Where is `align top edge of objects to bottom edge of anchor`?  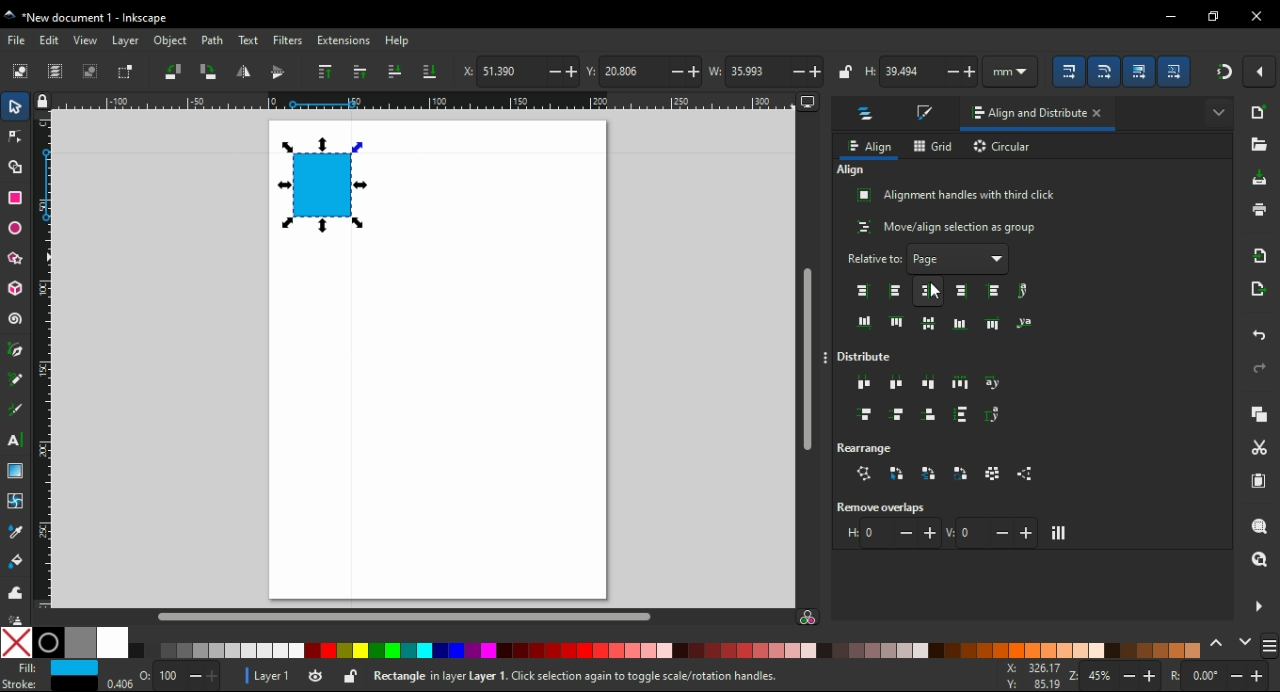
align top edge of objects to bottom edge of anchor is located at coordinates (994, 323).